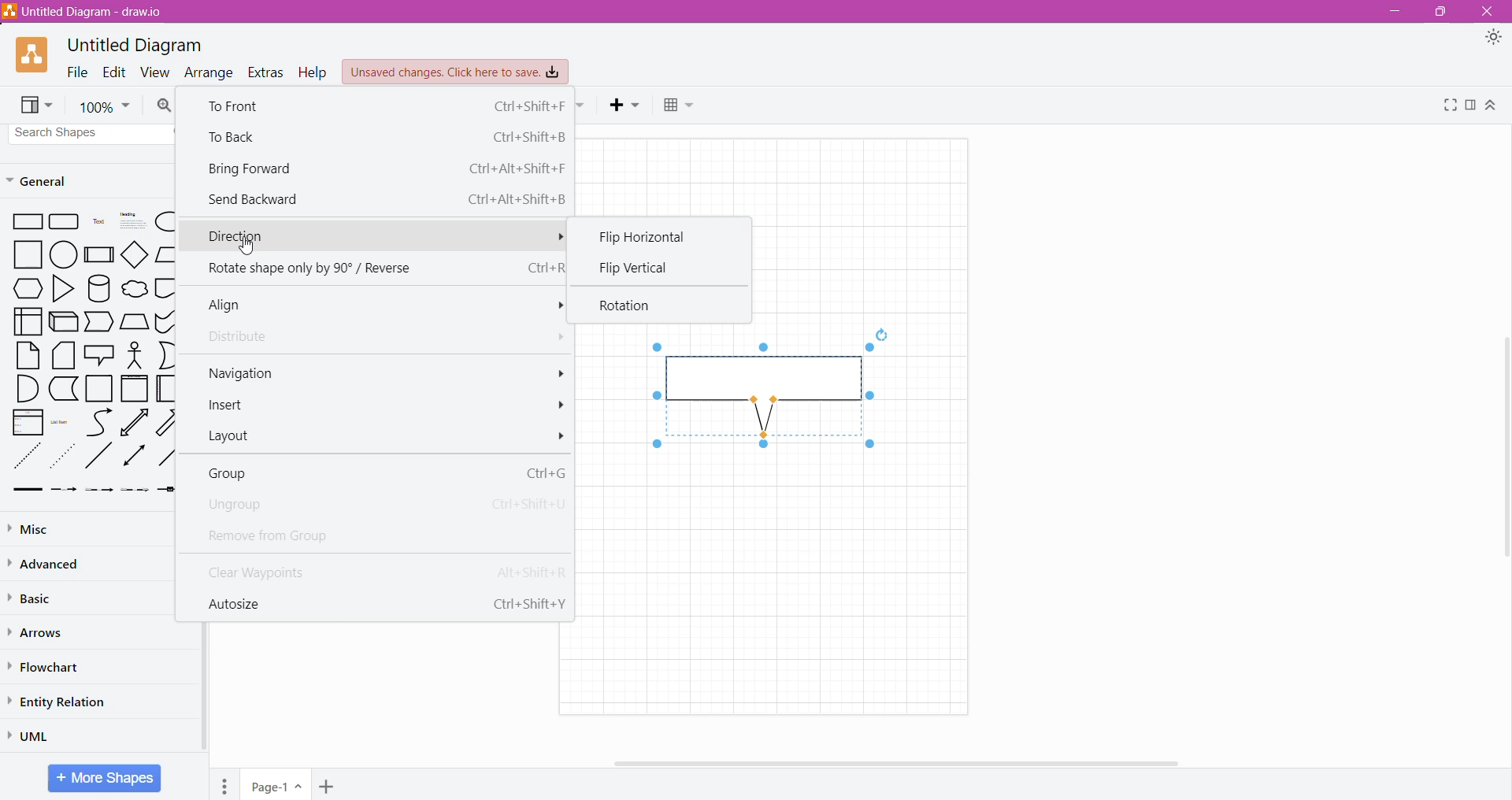 This screenshot has height=800, width=1512. Describe the element at coordinates (65, 456) in the screenshot. I see `Dotted Arrow ` at that location.